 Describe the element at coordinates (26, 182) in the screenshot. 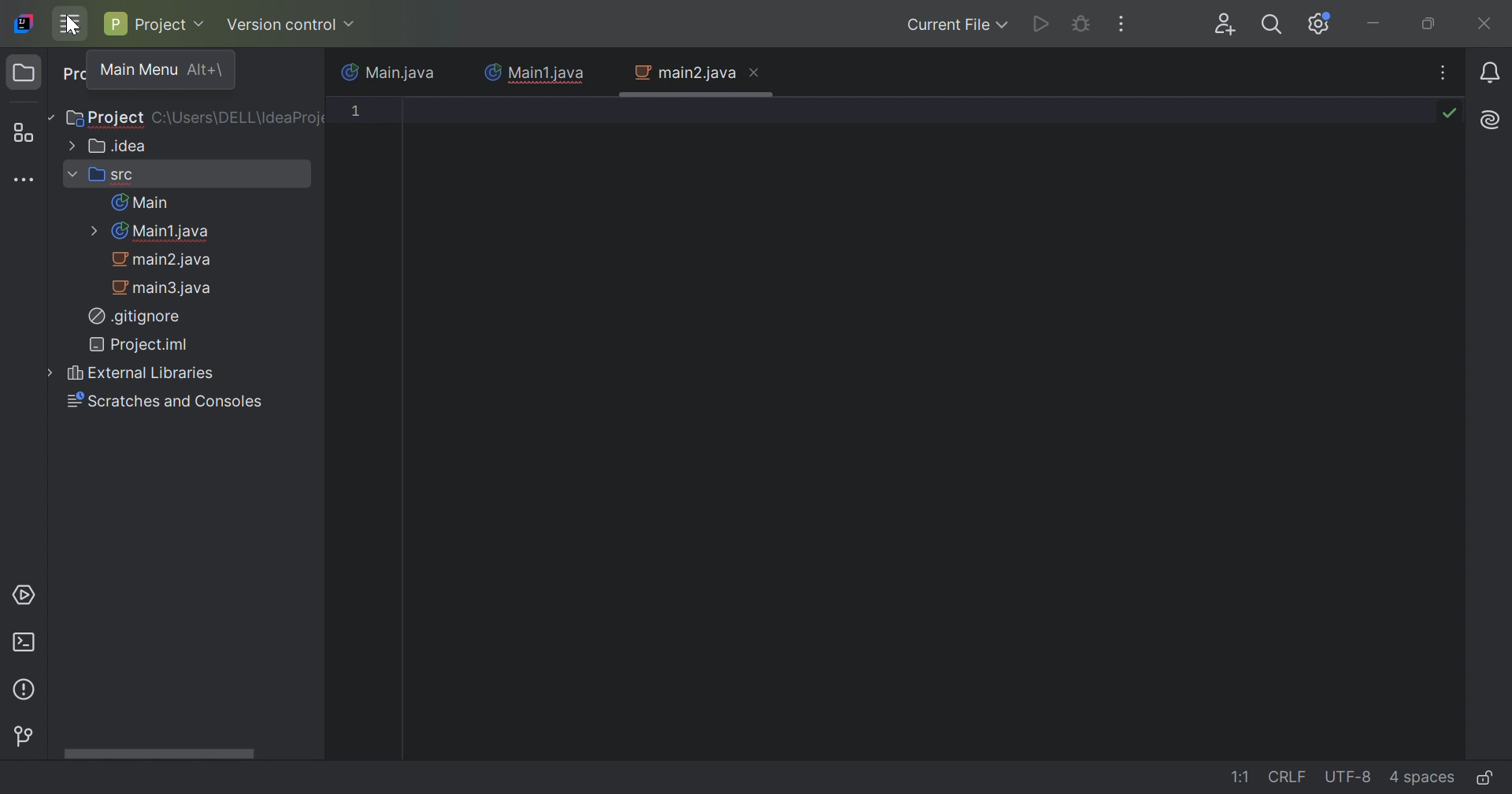

I see `More tool windows` at that location.